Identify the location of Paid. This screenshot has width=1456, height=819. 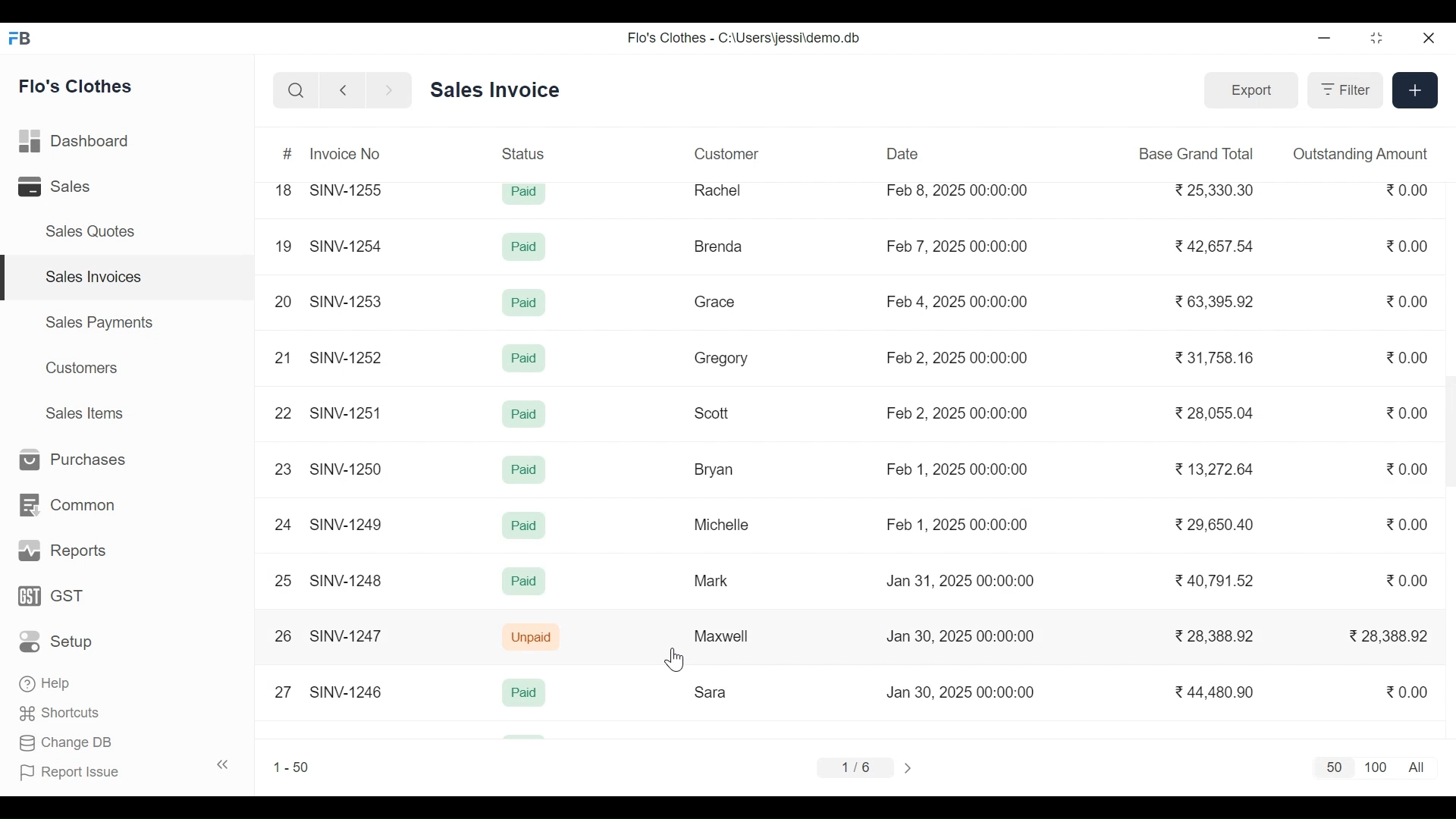
(524, 359).